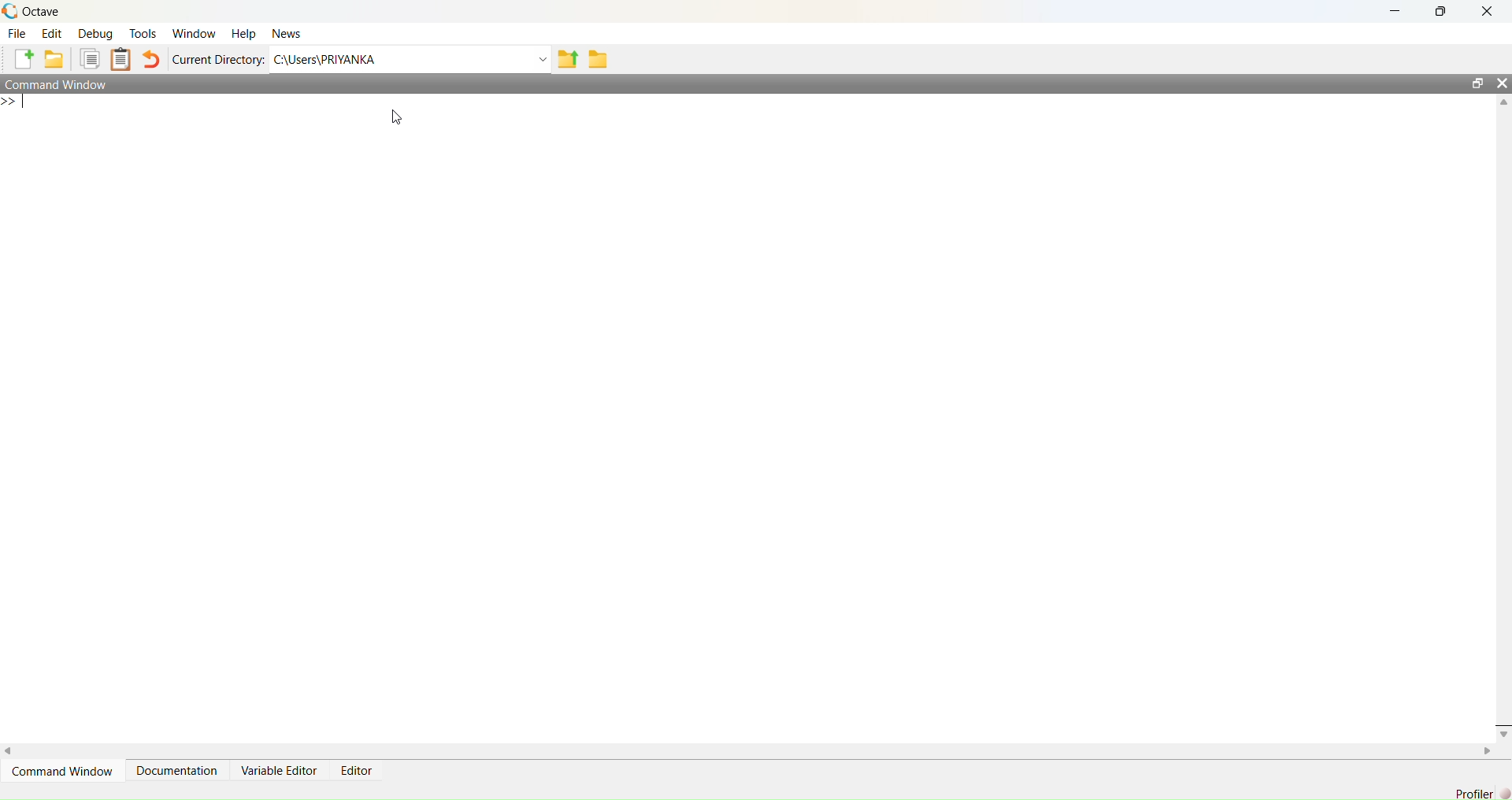 This screenshot has height=800, width=1512. I want to click on Maximize/Restore, so click(1443, 13).